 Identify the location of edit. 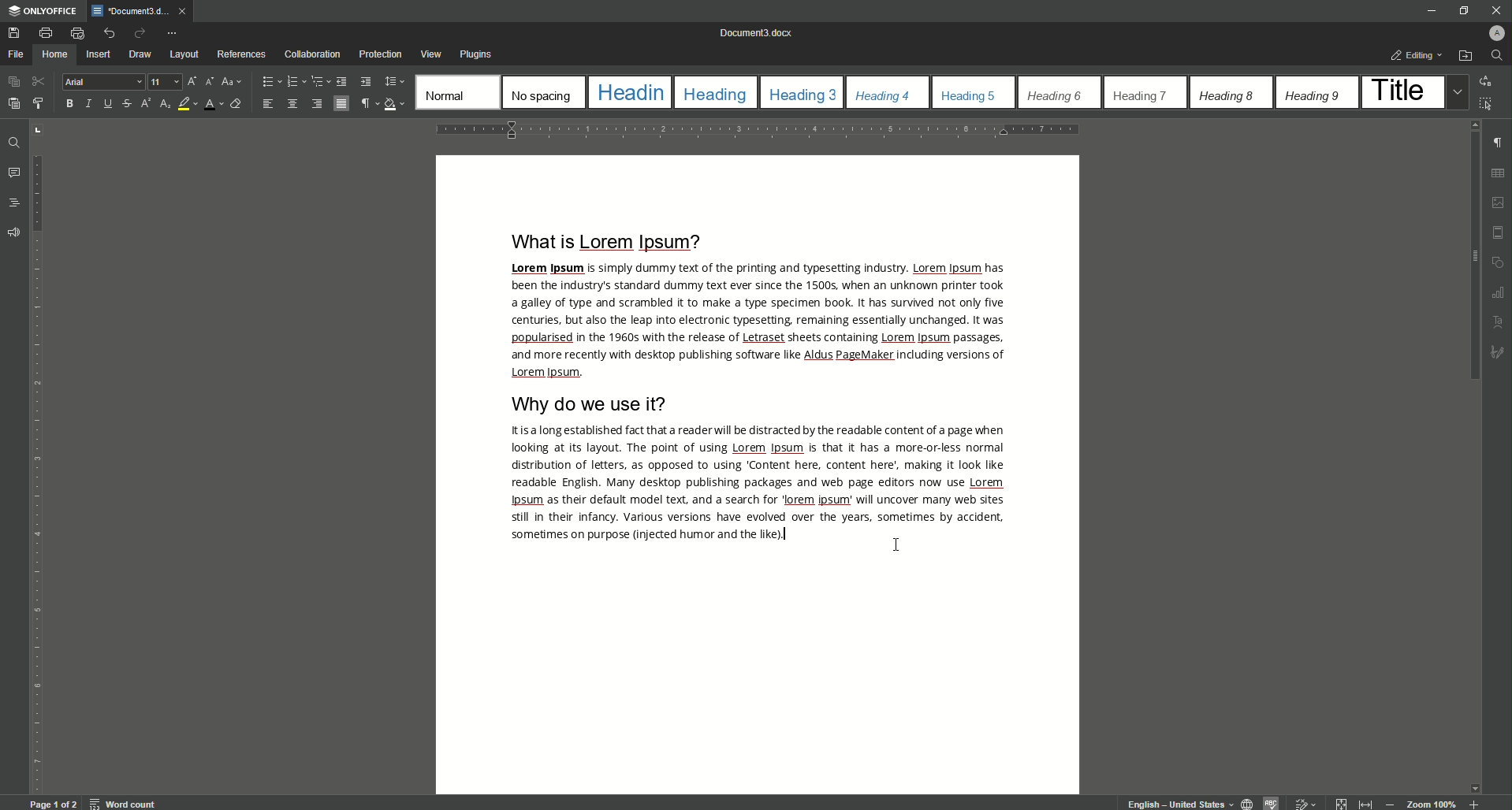
(1305, 803).